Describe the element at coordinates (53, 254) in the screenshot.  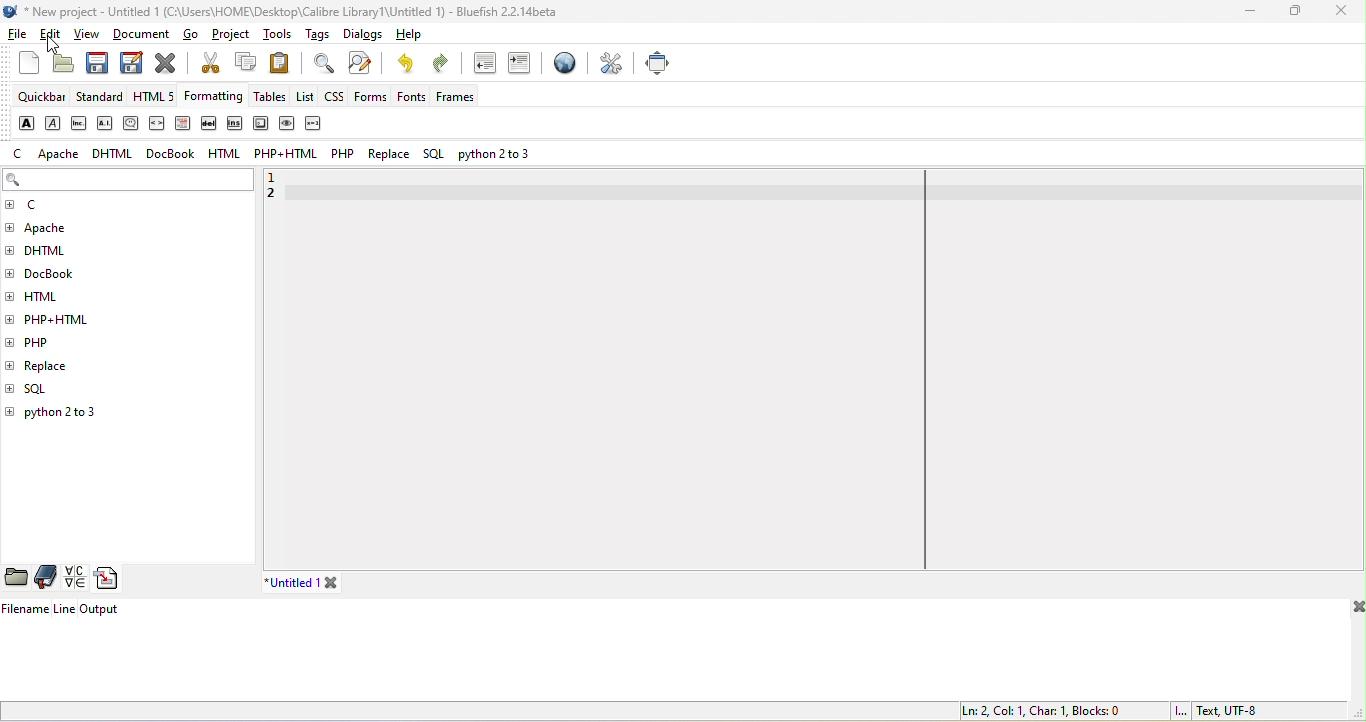
I see `dhtml` at that location.